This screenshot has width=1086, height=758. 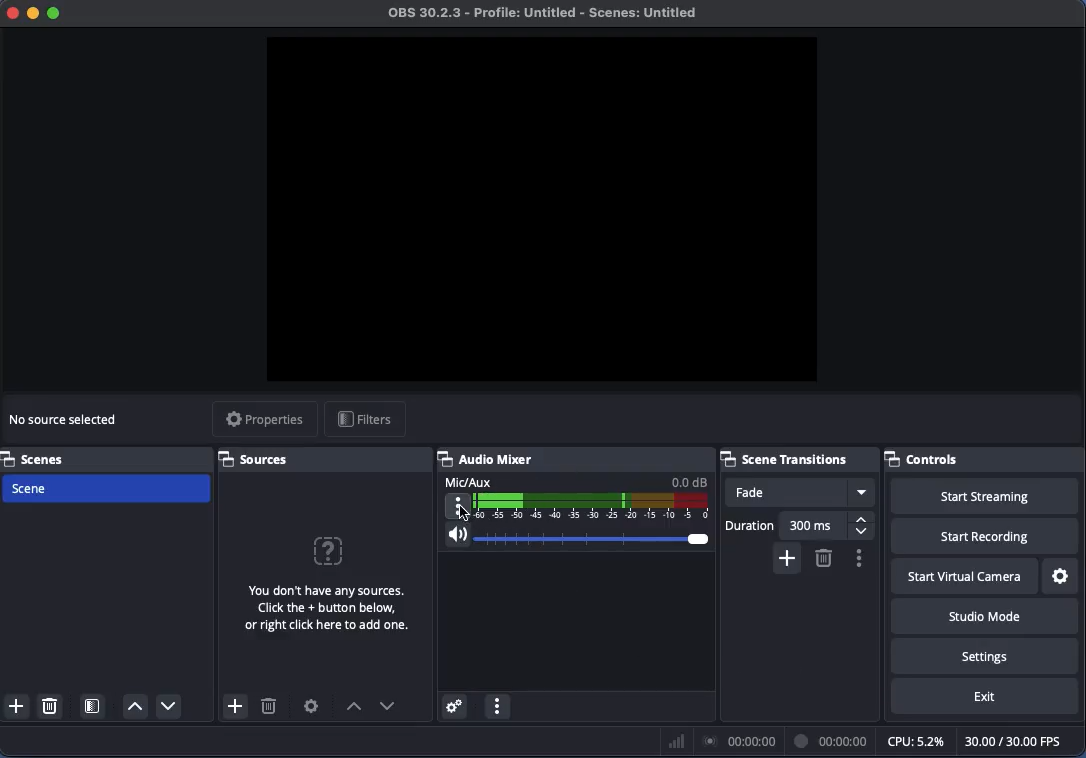 What do you see at coordinates (800, 492) in the screenshot?
I see `Fade` at bounding box center [800, 492].